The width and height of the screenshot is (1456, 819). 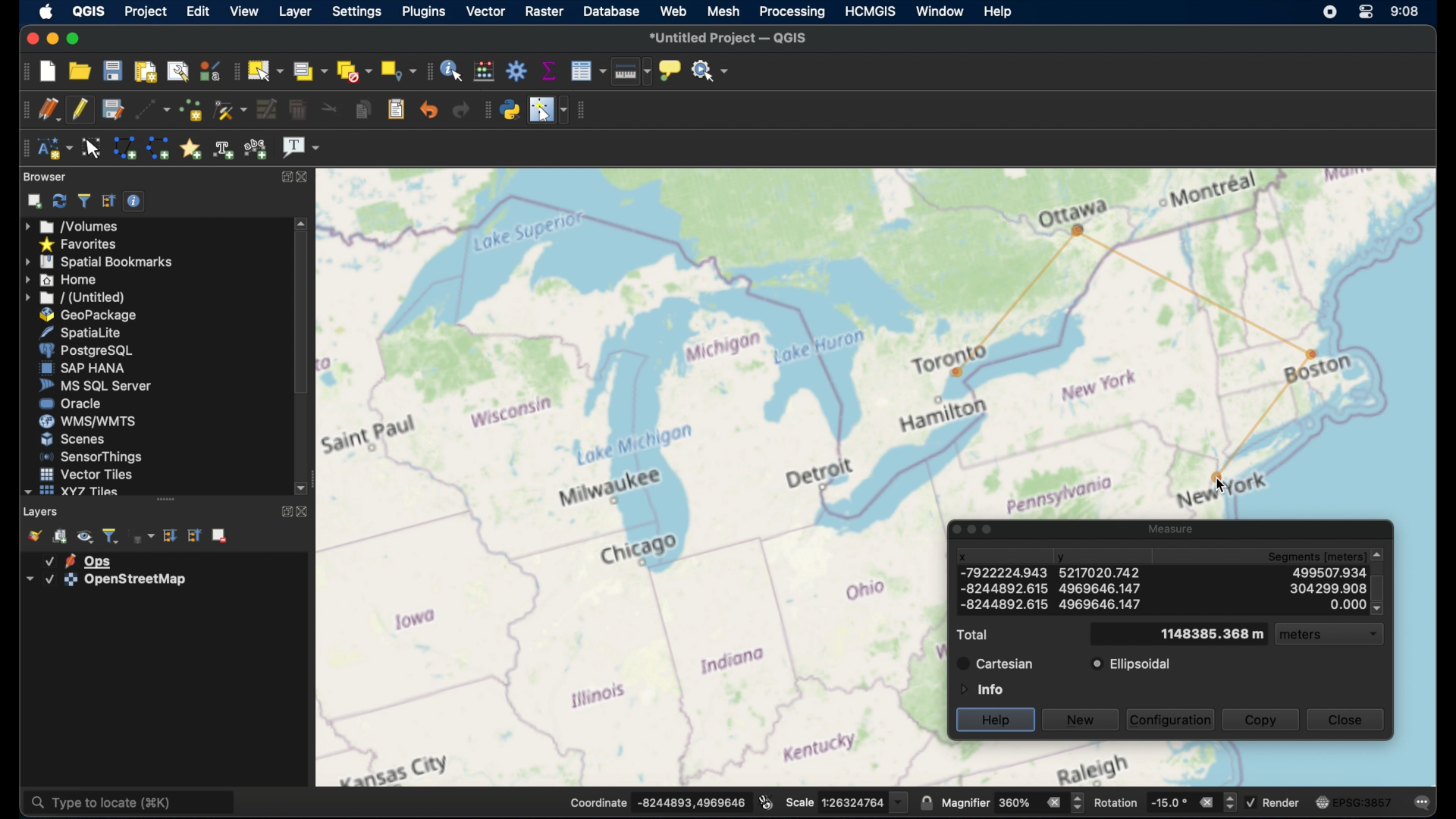 What do you see at coordinates (108, 201) in the screenshot?
I see `collapse all` at bounding box center [108, 201].